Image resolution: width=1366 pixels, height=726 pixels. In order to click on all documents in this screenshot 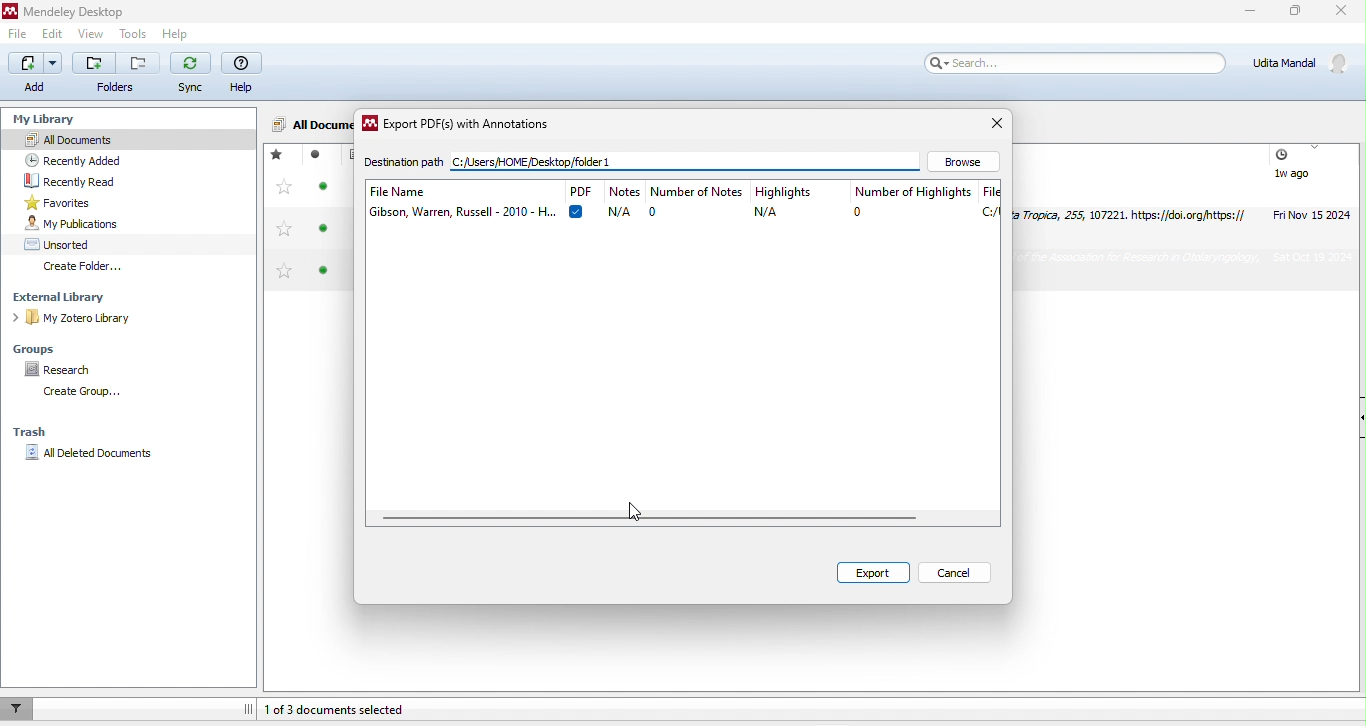, I will do `click(309, 123)`.